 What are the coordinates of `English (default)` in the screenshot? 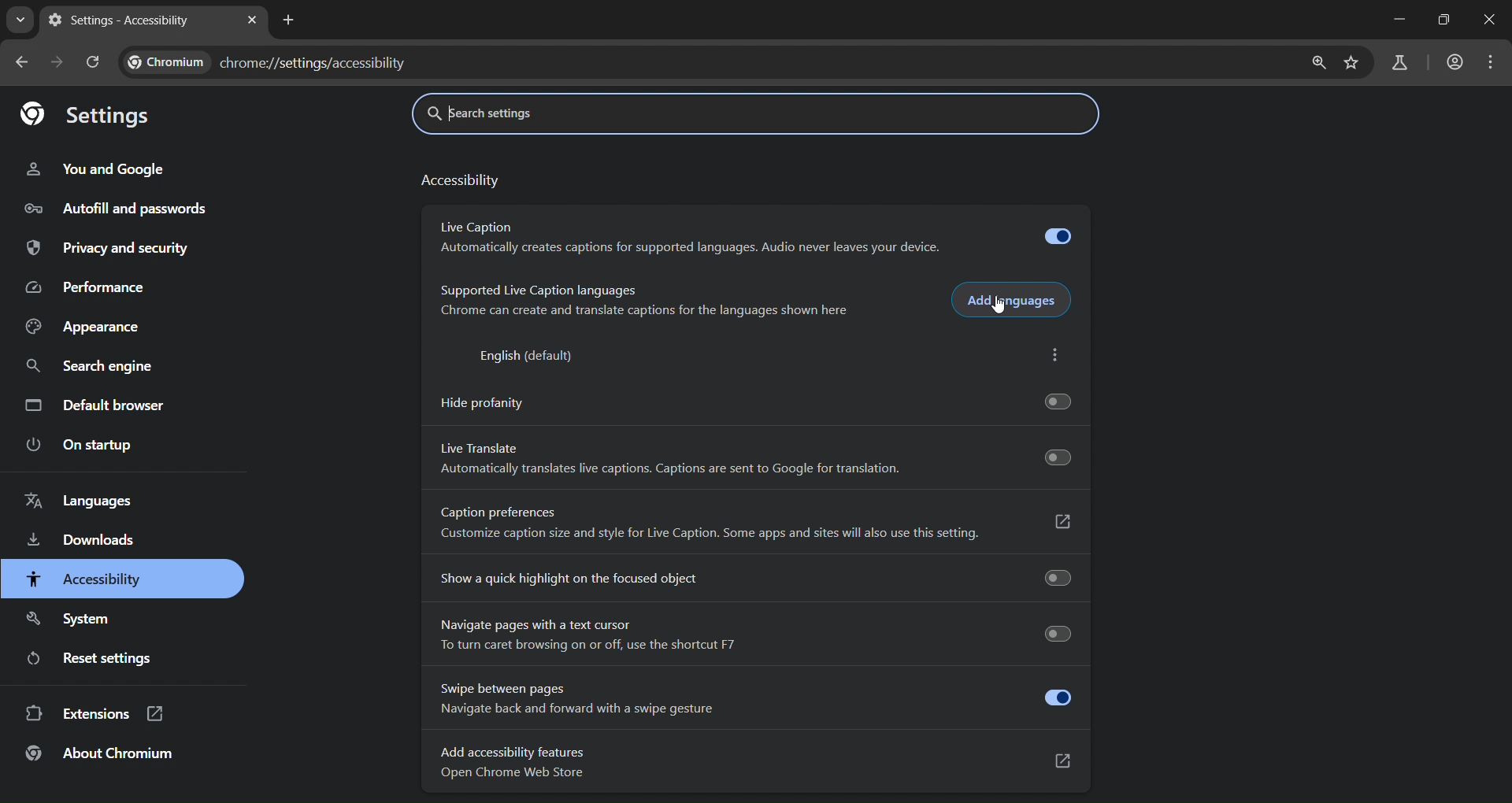 It's located at (528, 355).